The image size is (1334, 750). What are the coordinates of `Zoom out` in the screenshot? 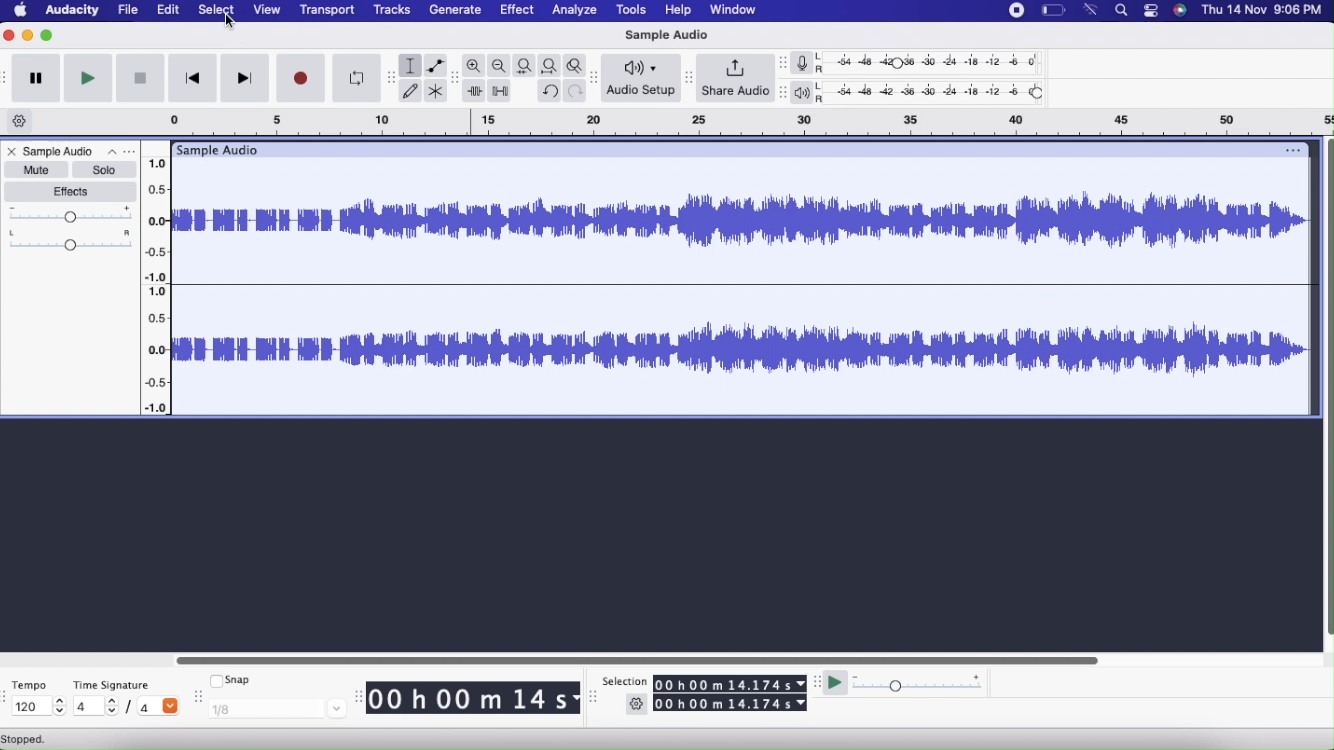 It's located at (500, 66).